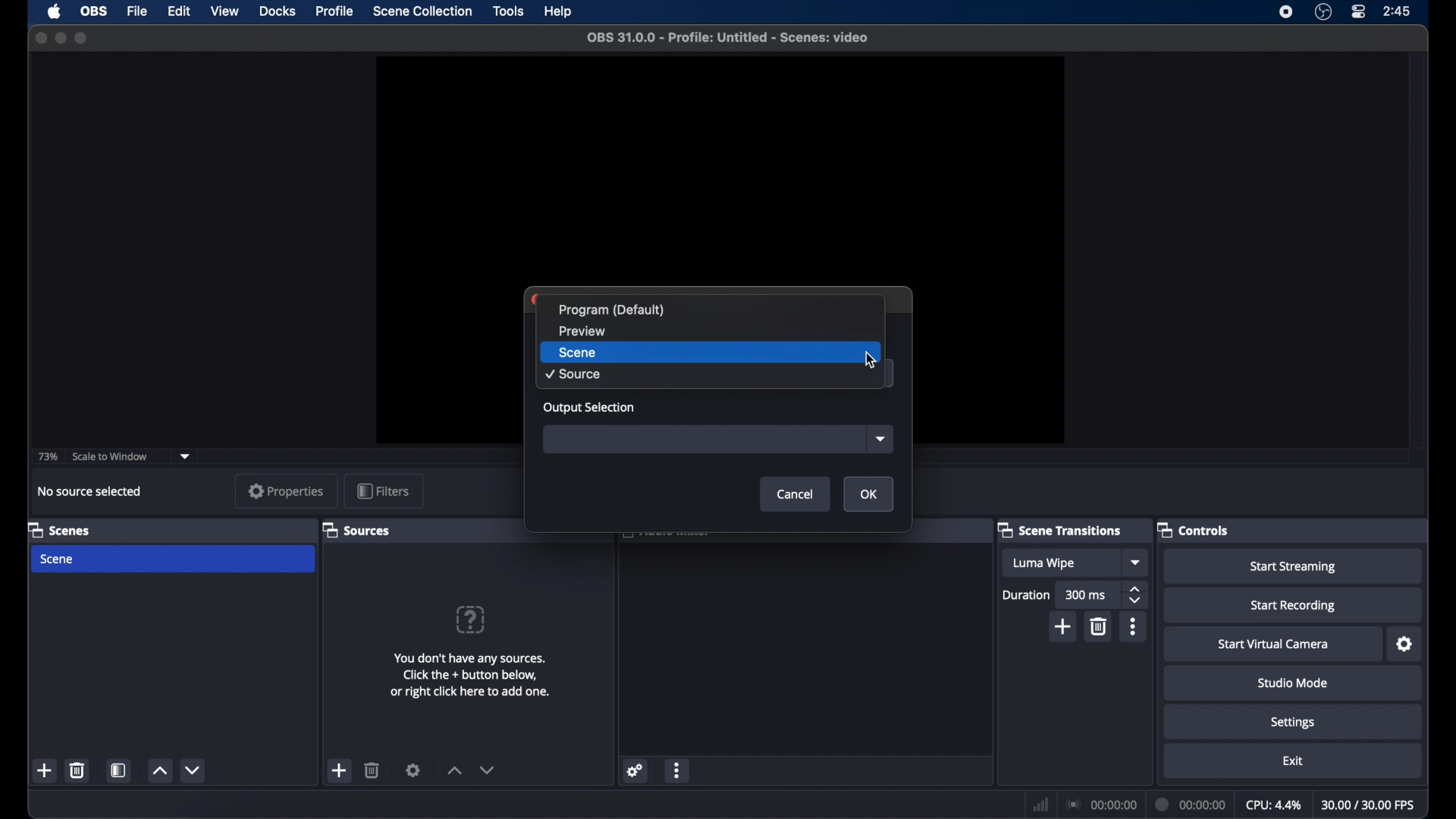  What do you see at coordinates (1293, 761) in the screenshot?
I see `exit` at bounding box center [1293, 761].